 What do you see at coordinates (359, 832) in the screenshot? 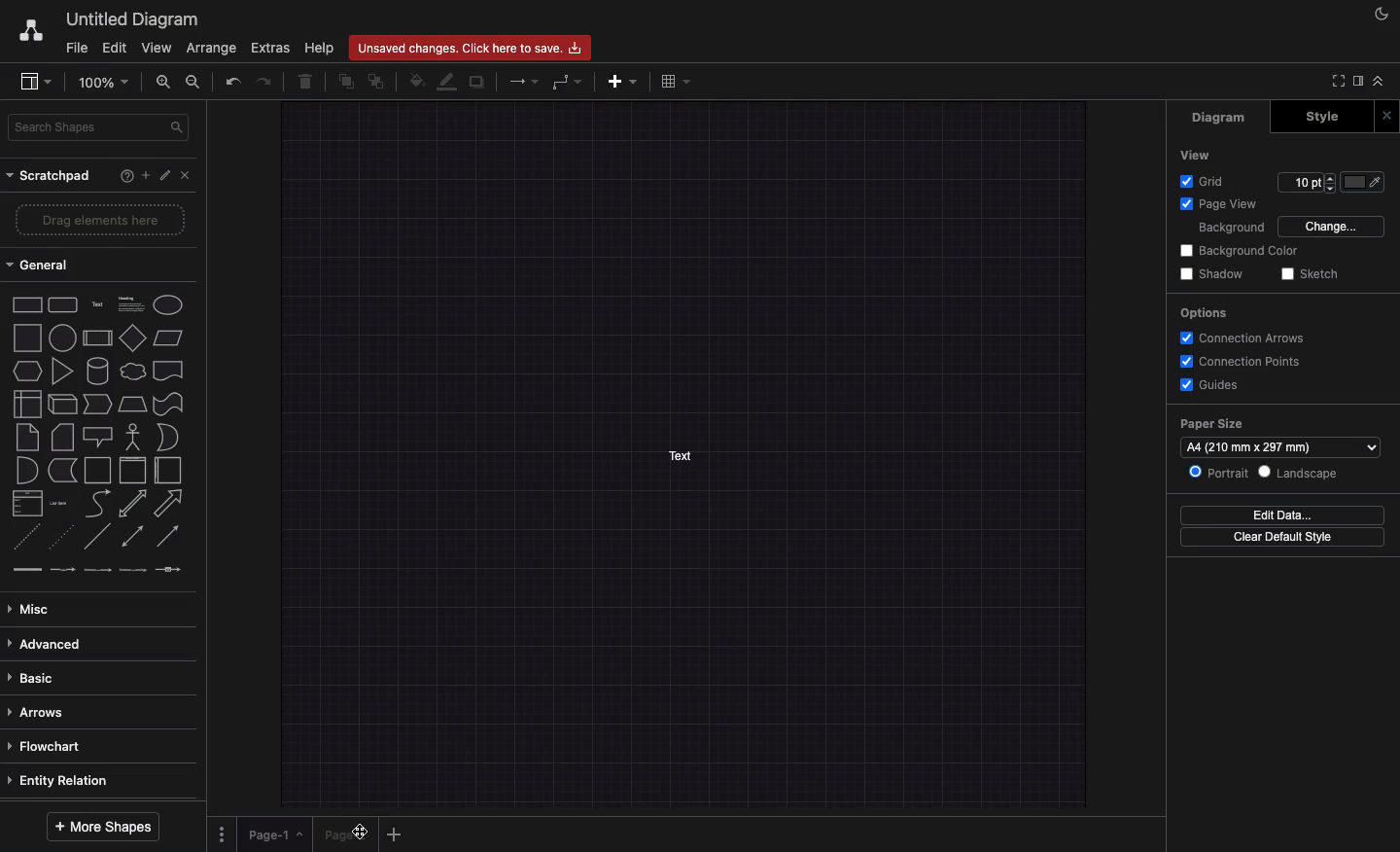
I see `Cursor` at bounding box center [359, 832].